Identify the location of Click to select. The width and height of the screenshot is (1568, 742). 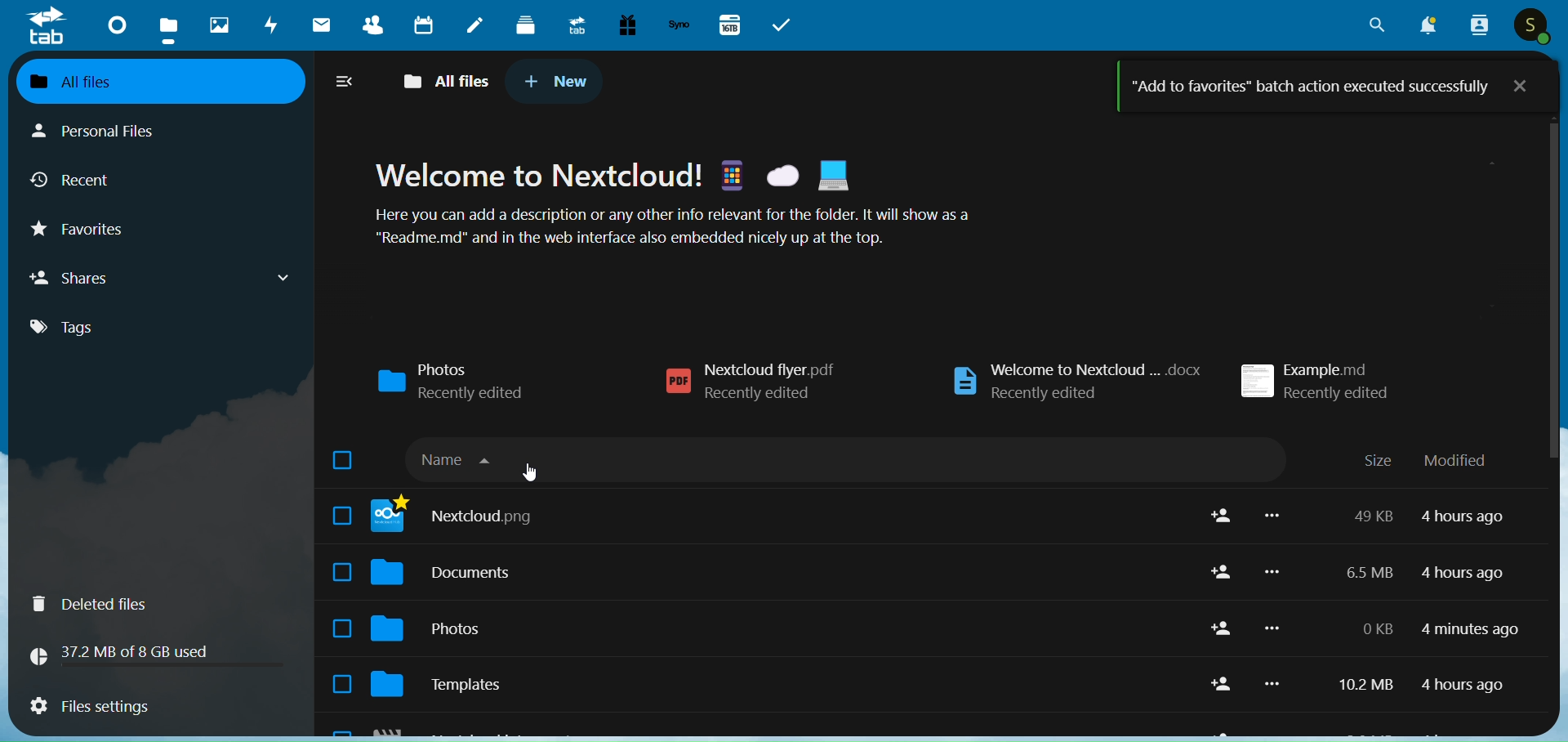
(342, 628).